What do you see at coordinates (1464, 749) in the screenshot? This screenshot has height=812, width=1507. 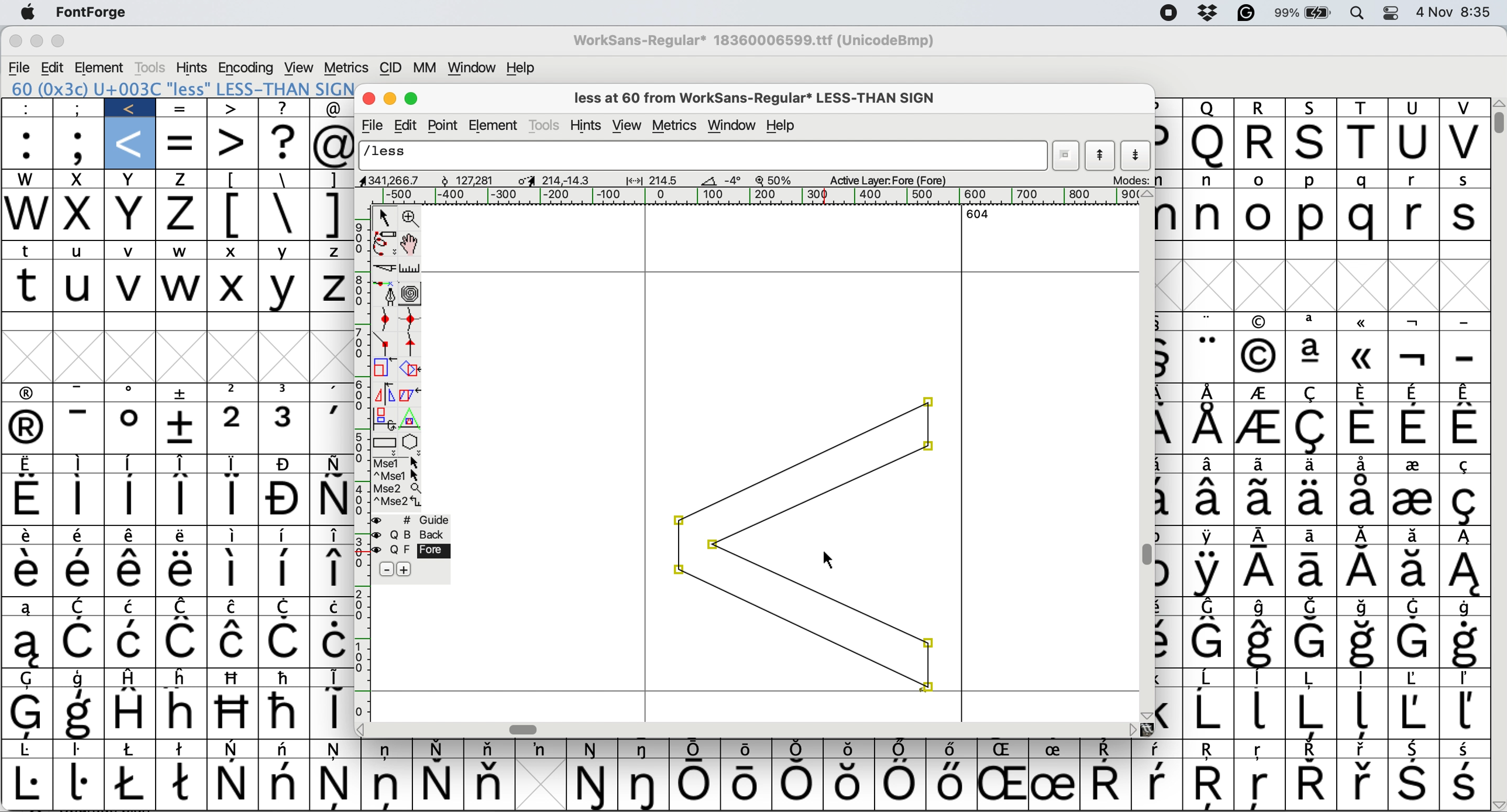 I see `Symbol` at bounding box center [1464, 749].